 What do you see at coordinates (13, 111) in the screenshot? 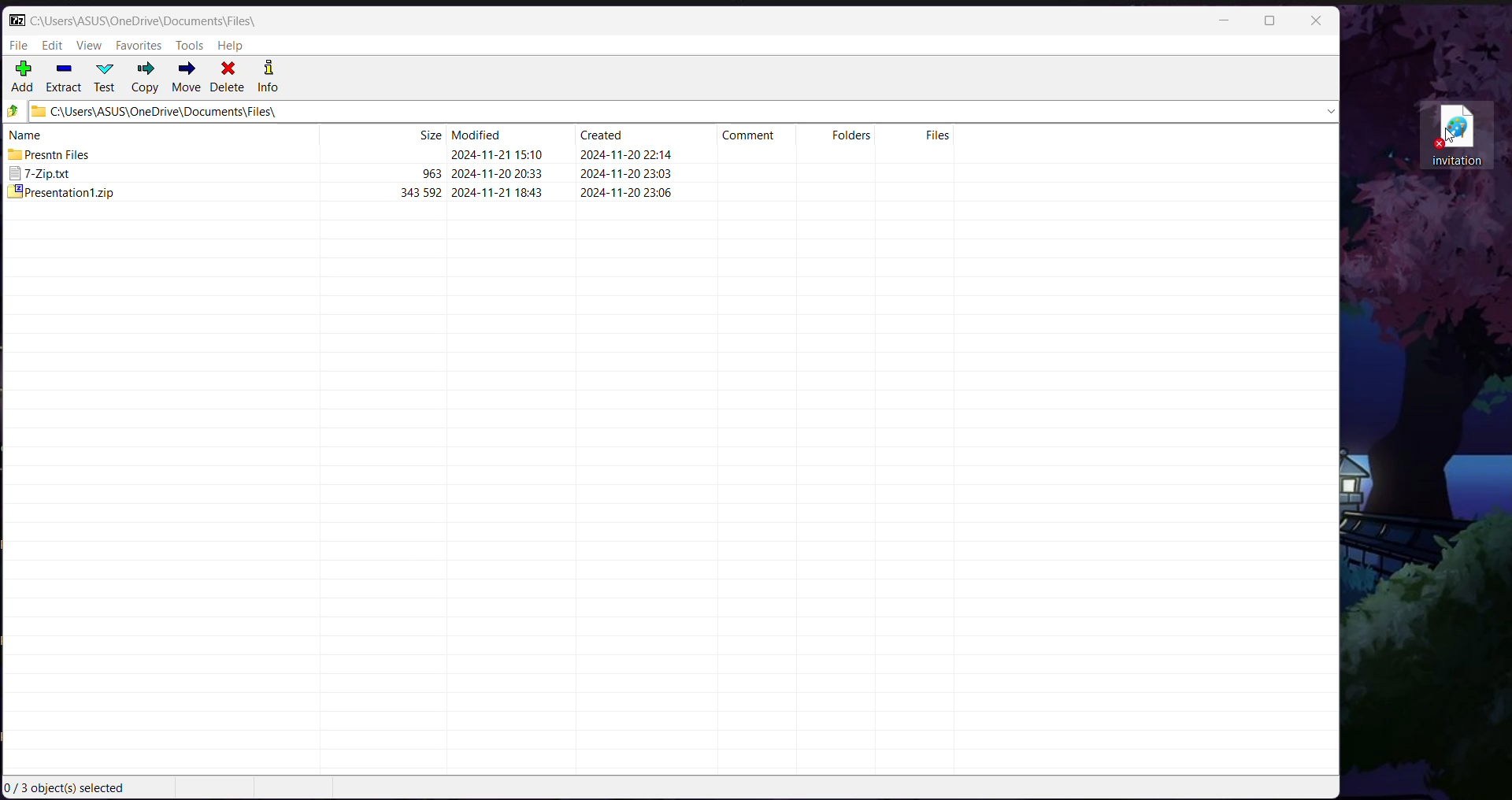
I see `Move Up one level` at bounding box center [13, 111].